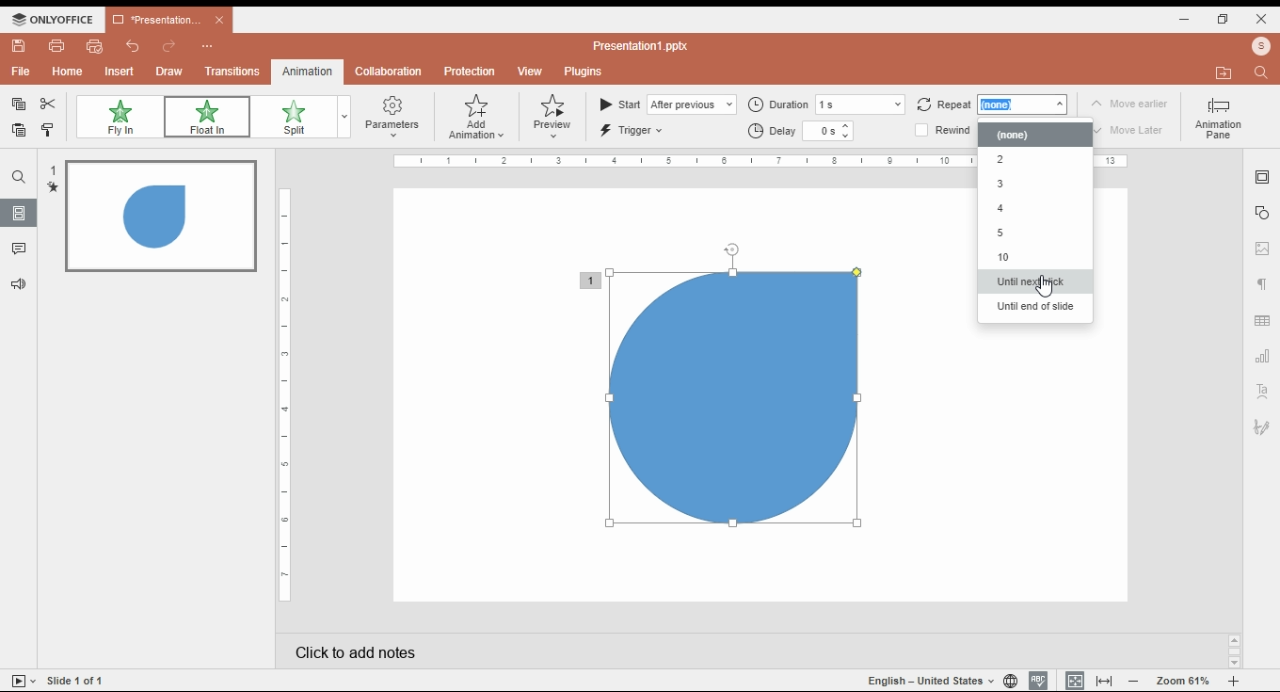 This screenshot has width=1280, height=692. Describe the element at coordinates (20, 129) in the screenshot. I see `paste` at that location.